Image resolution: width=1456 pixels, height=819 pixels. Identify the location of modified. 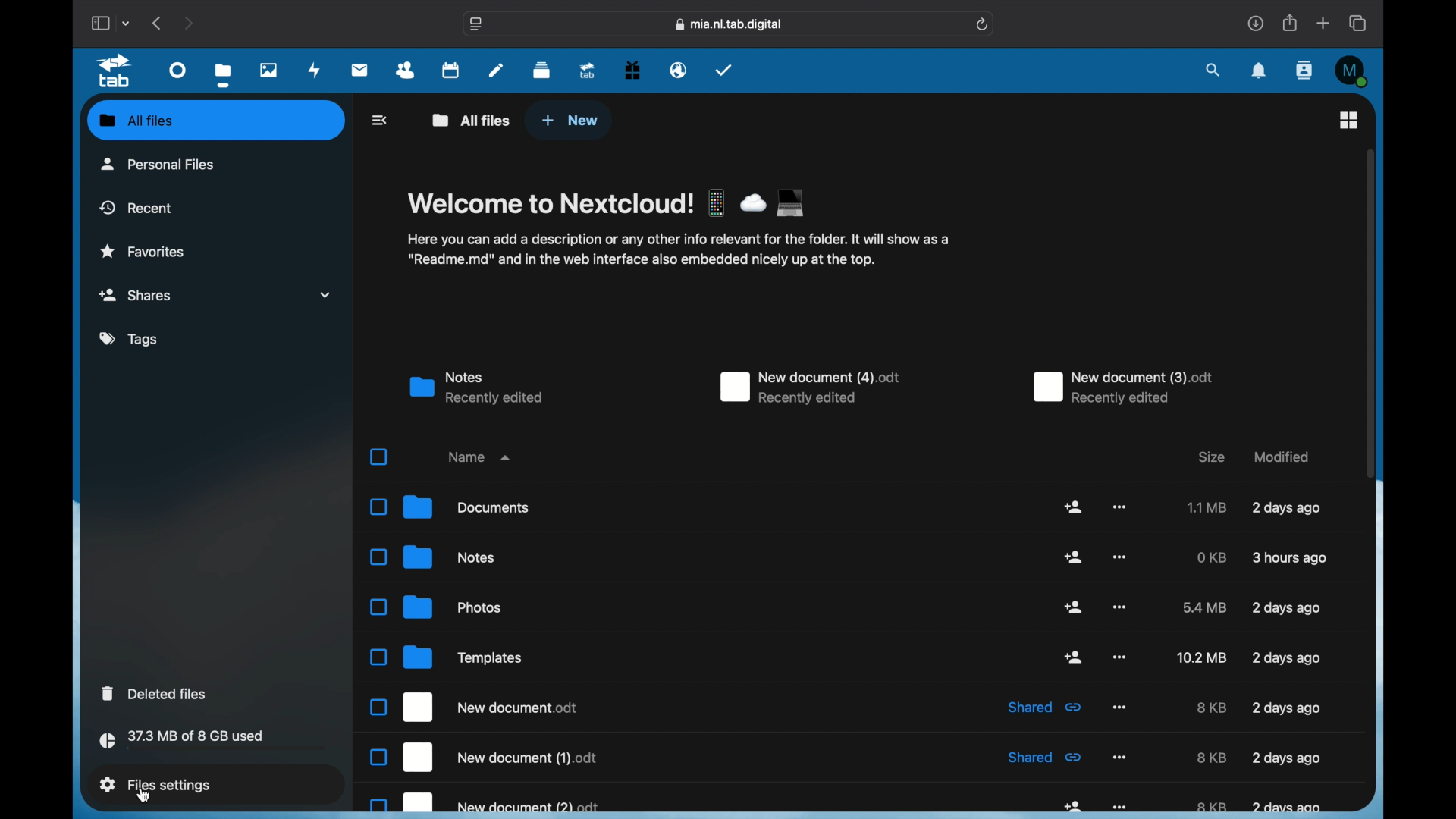
(1287, 807).